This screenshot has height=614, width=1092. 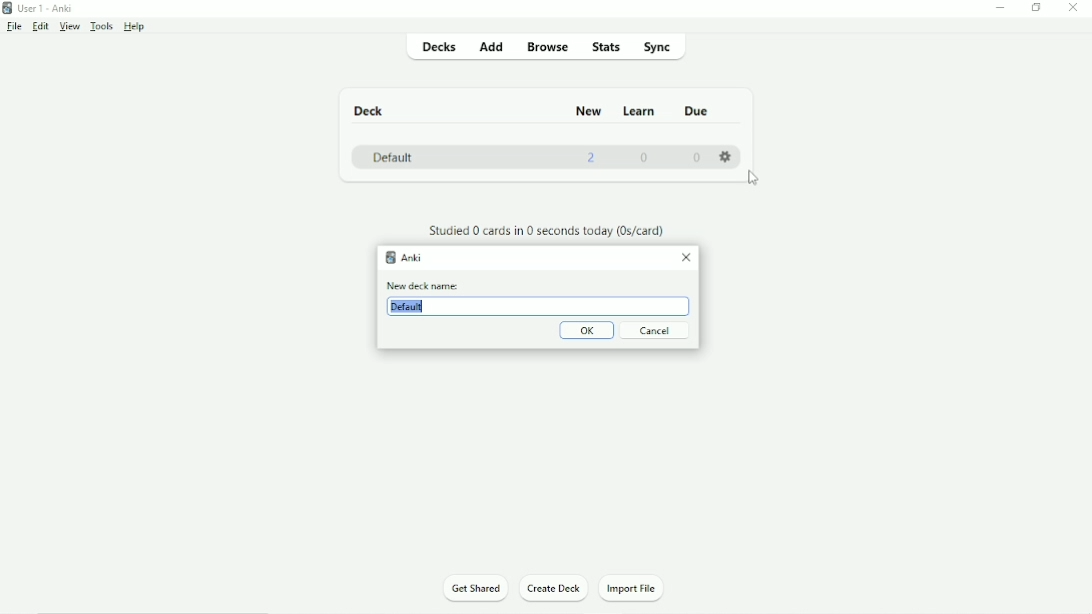 What do you see at coordinates (406, 307) in the screenshot?
I see `Default` at bounding box center [406, 307].